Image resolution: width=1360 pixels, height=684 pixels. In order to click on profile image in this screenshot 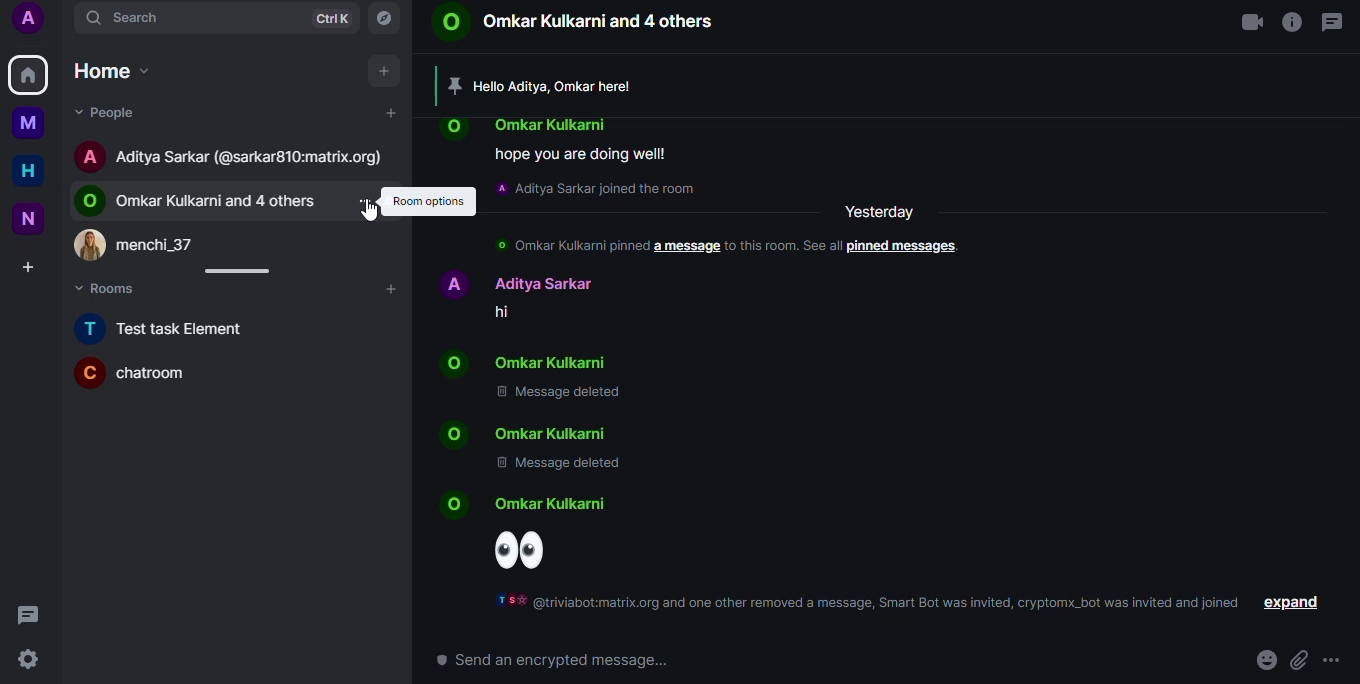, I will do `click(92, 246)`.